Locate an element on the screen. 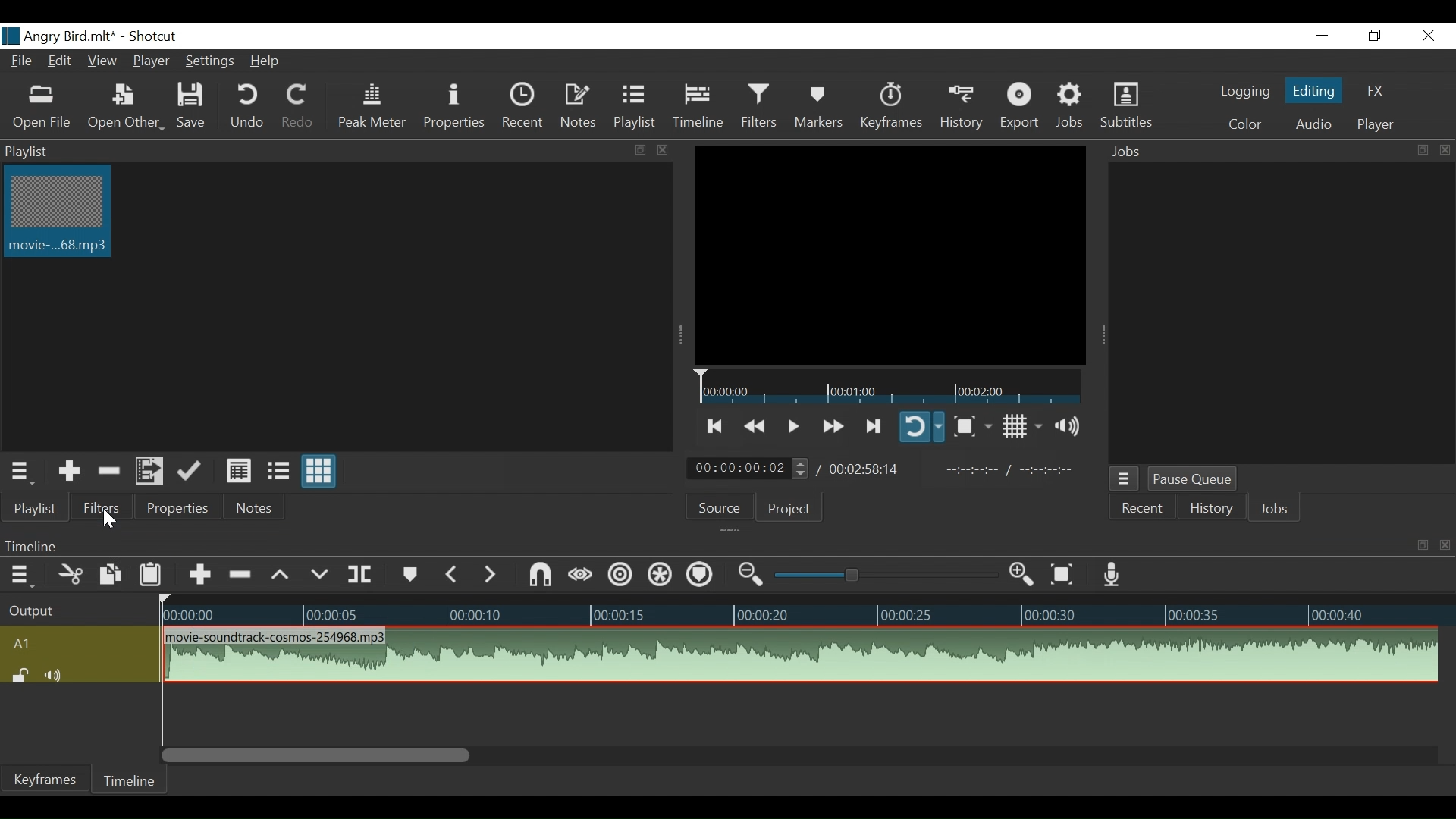 The image size is (1456, 819). Color is located at coordinates (1244, 125).